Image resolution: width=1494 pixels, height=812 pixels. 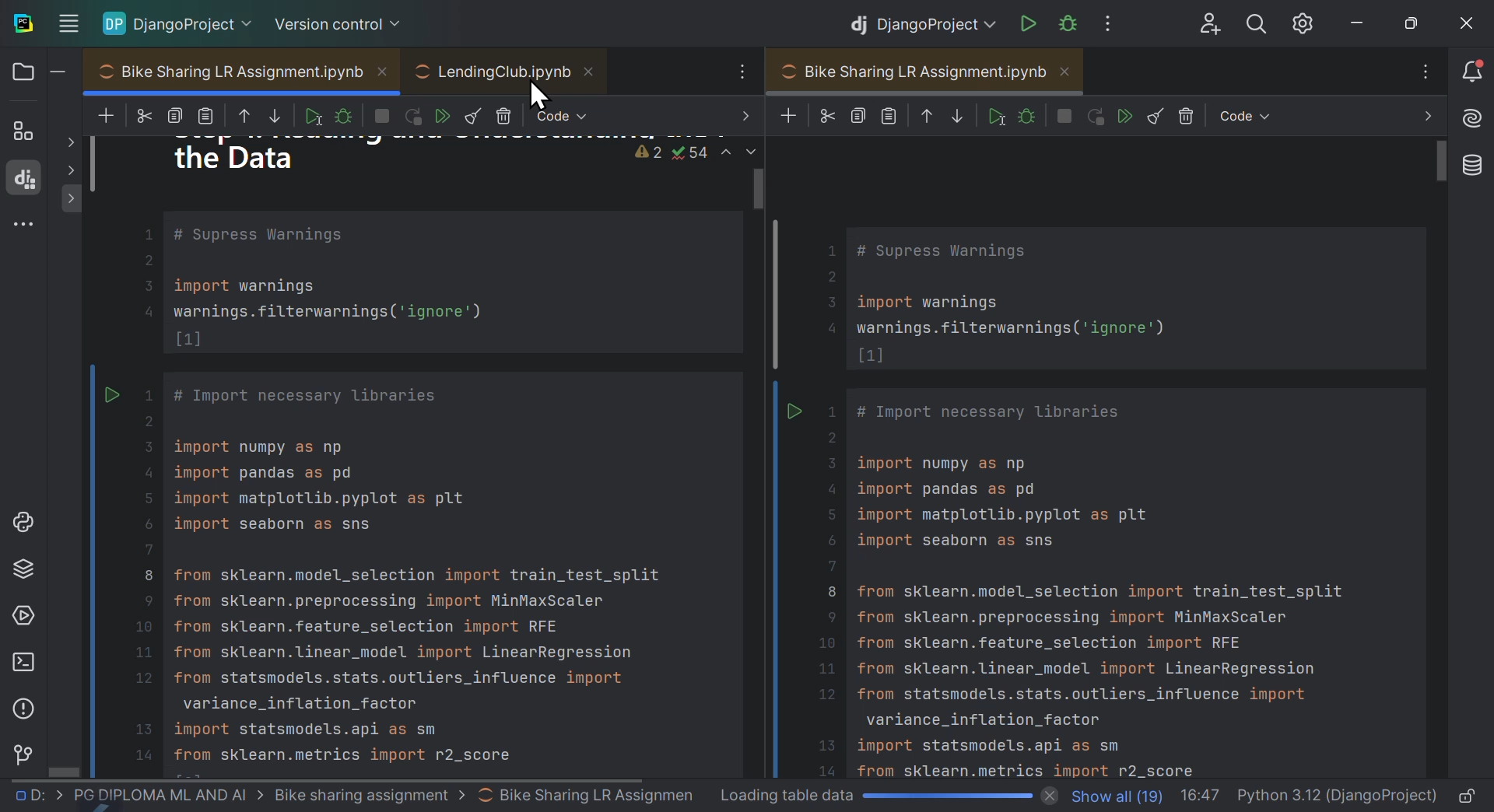 What do you see at coordinates (734, 72) in the screenshot?
I see `options` at bounding box center [734, 72].